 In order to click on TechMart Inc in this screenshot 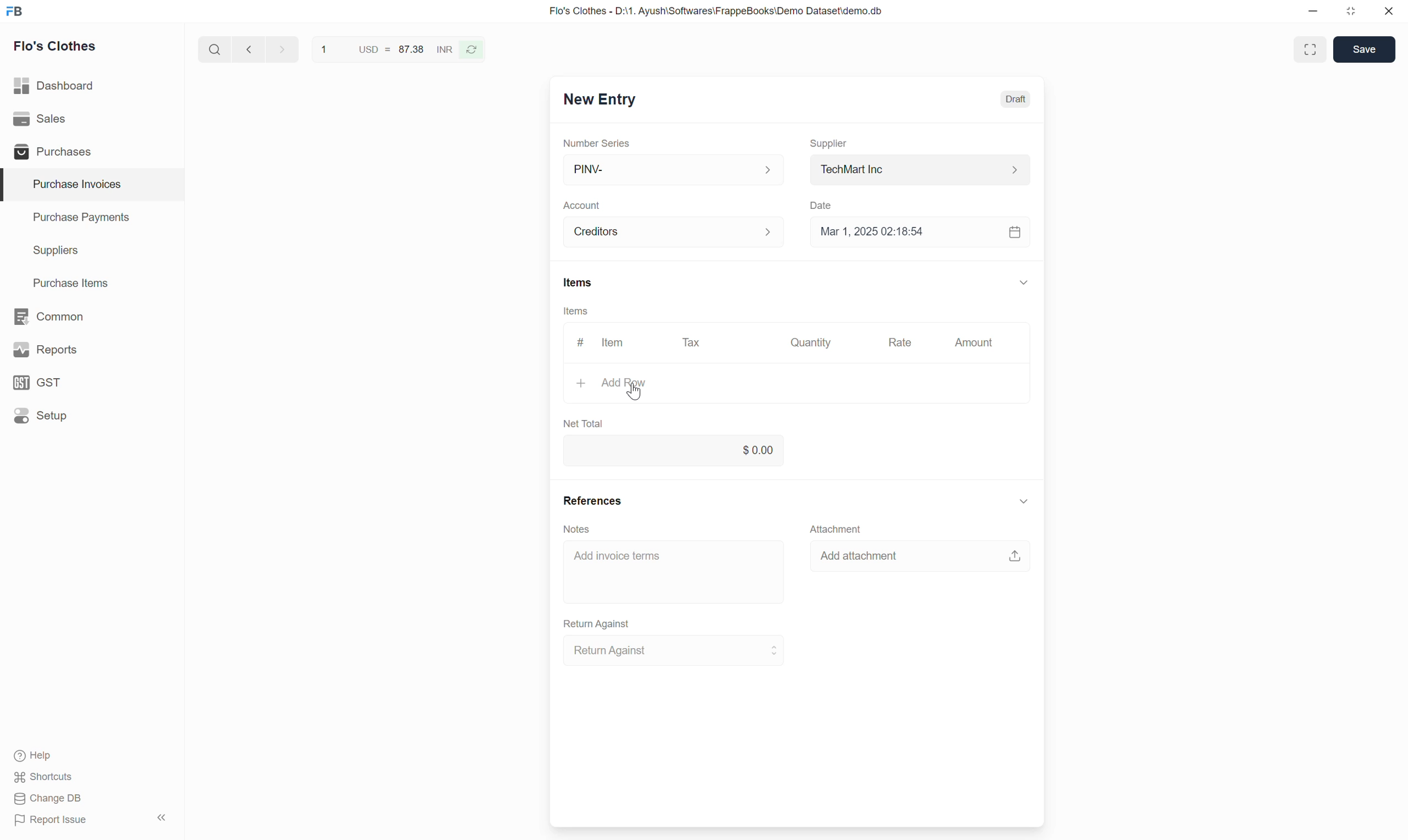, I will do `click(921, 170)`.